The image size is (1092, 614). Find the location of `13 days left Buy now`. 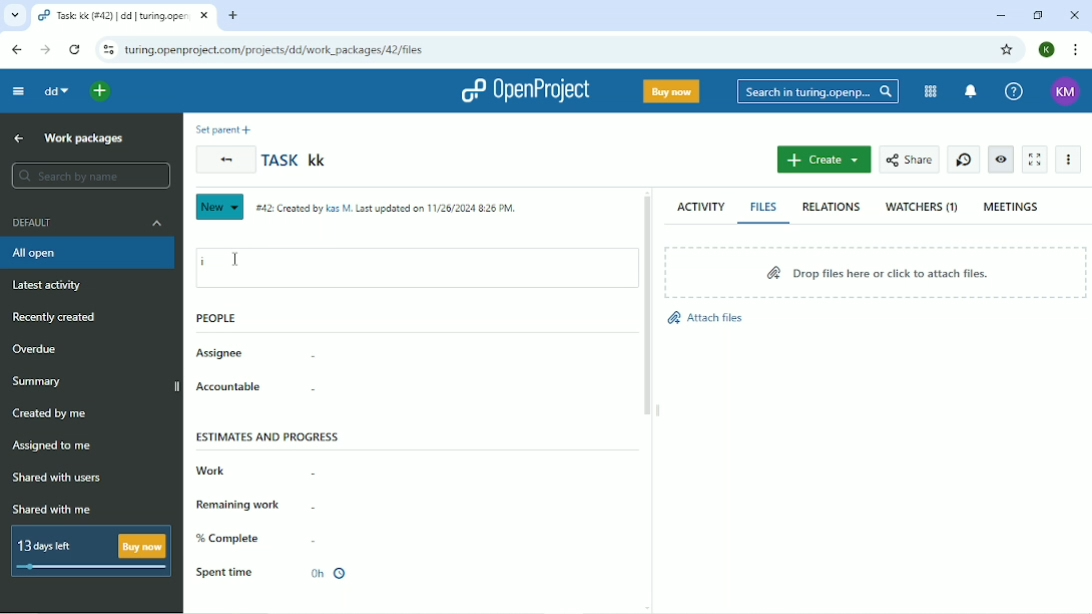

13 days left Buy now is located at coordinates (93, 550).